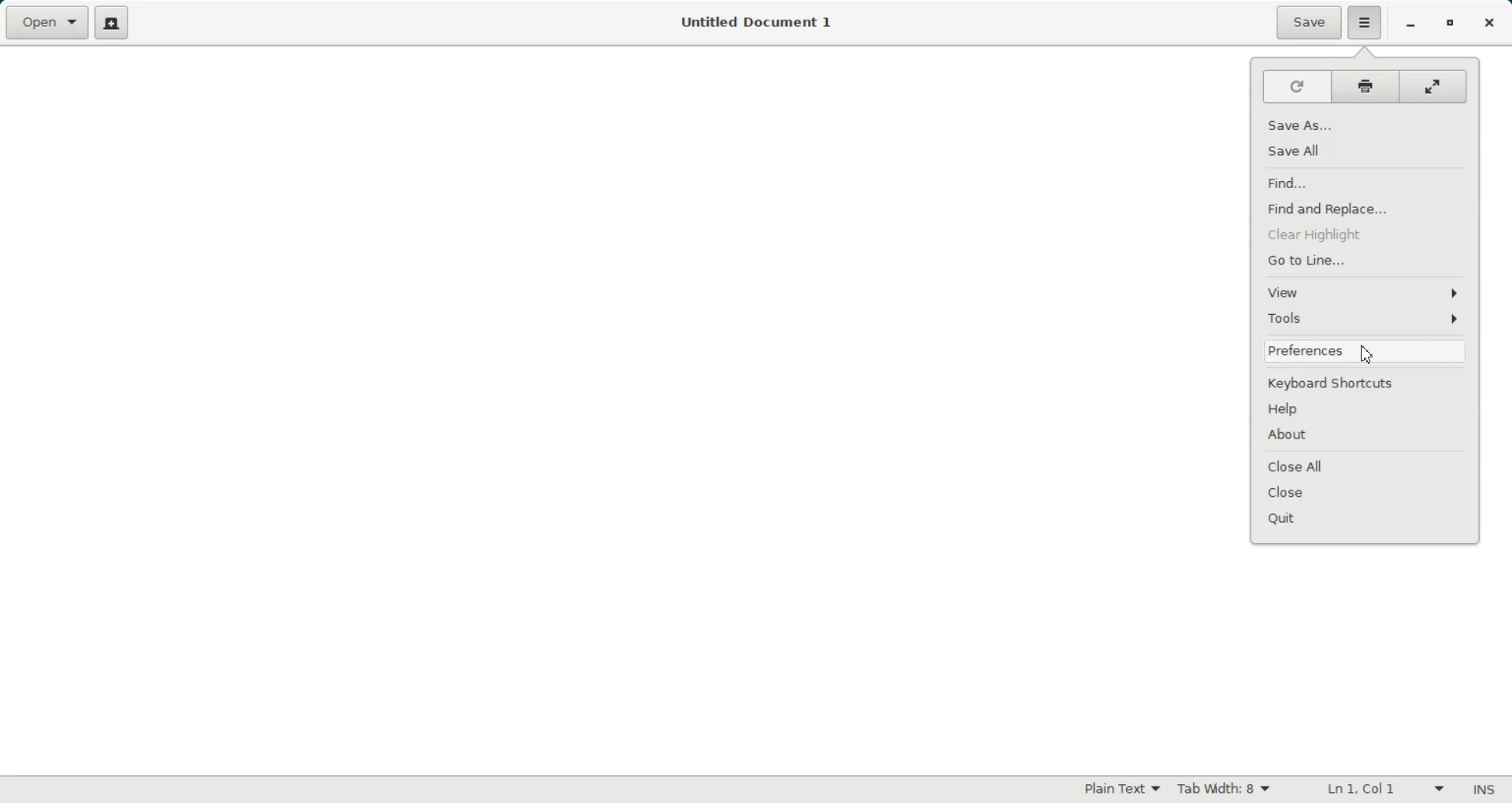 The image size is (1512, 803). I want to click on Tools, so click(1366, 318).